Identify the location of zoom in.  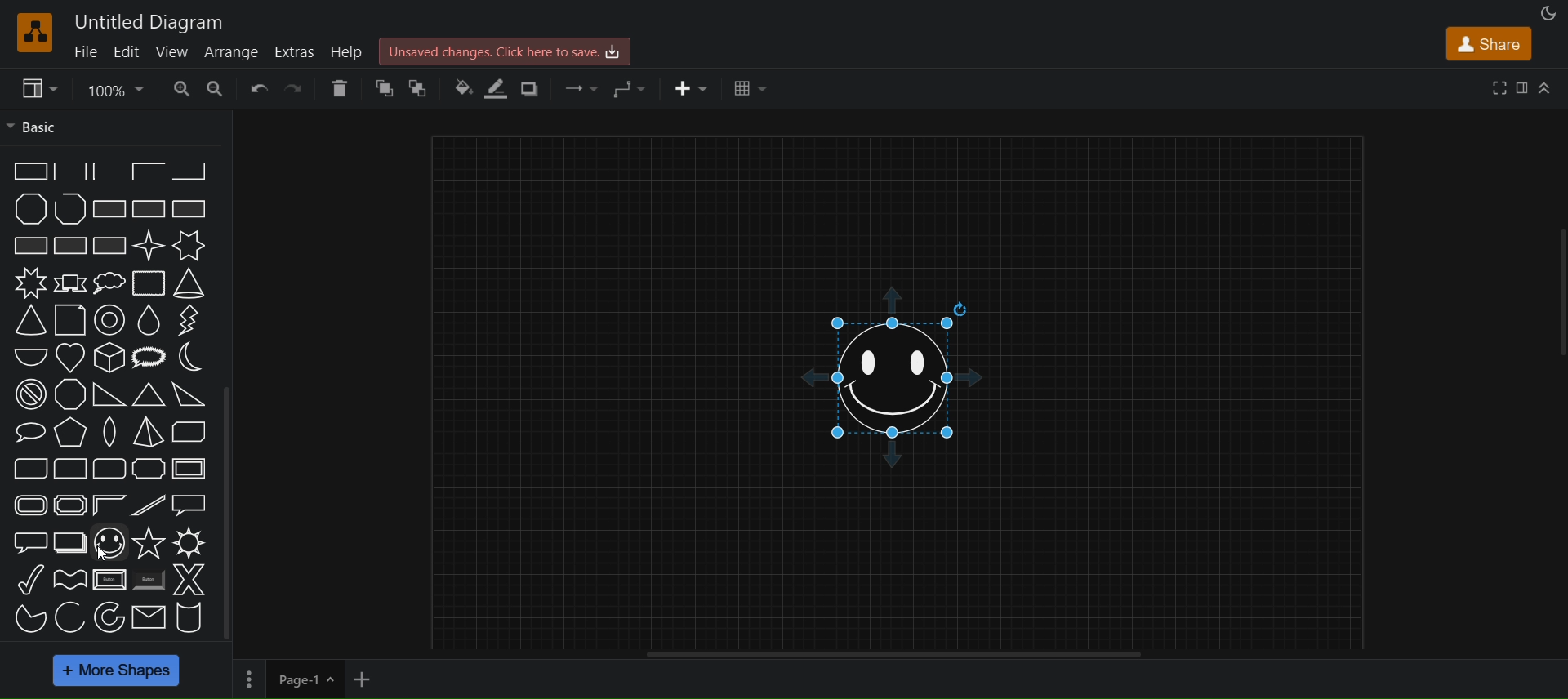
(216, 86).